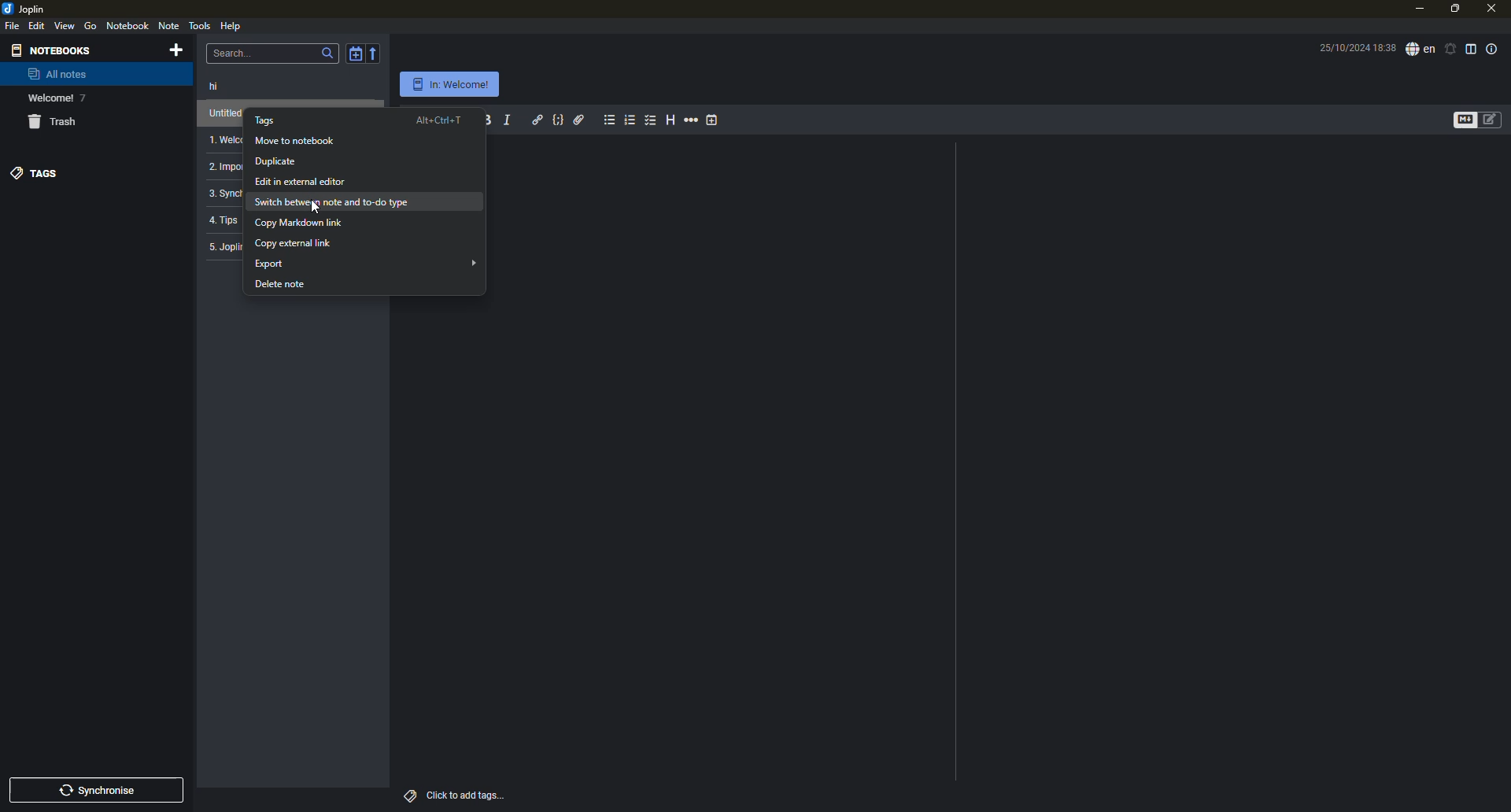 The image size is (1511, 812). I want to click on insert time, so click(714, 120).